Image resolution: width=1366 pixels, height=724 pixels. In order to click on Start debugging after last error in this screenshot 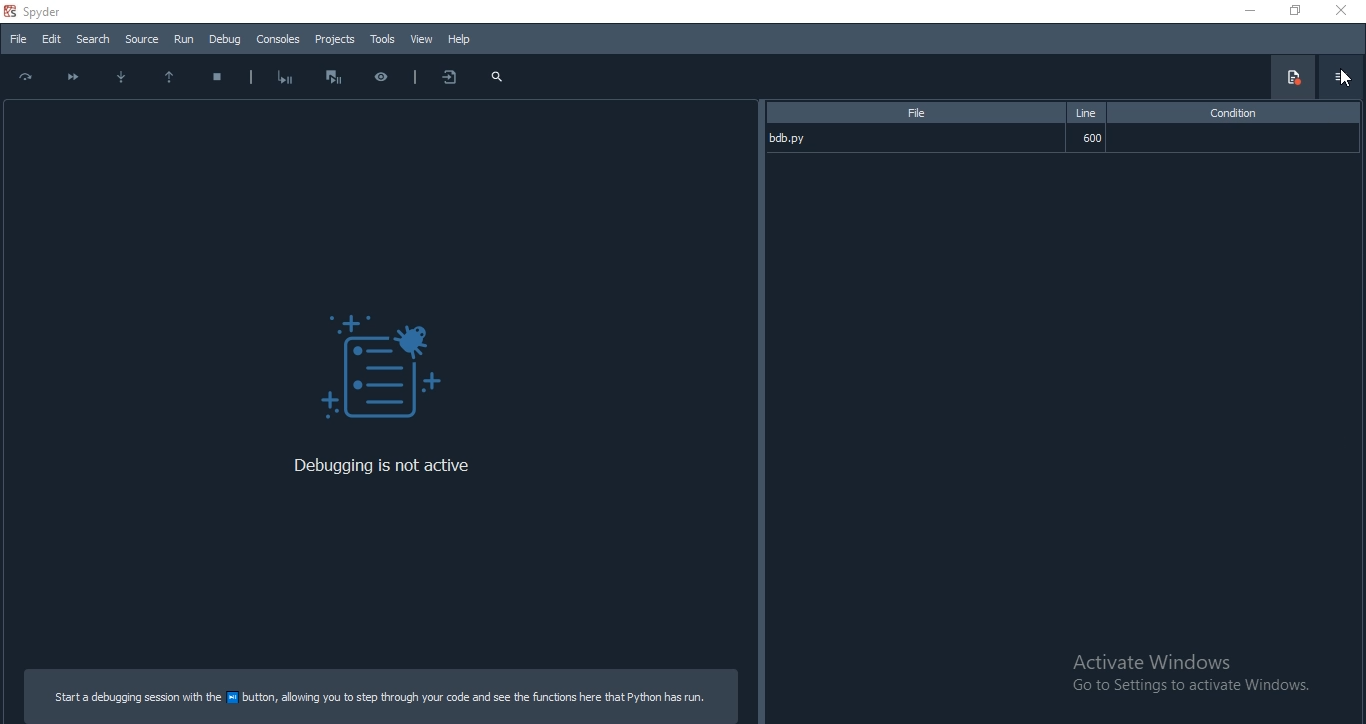, I will do `click(285, 78)`.